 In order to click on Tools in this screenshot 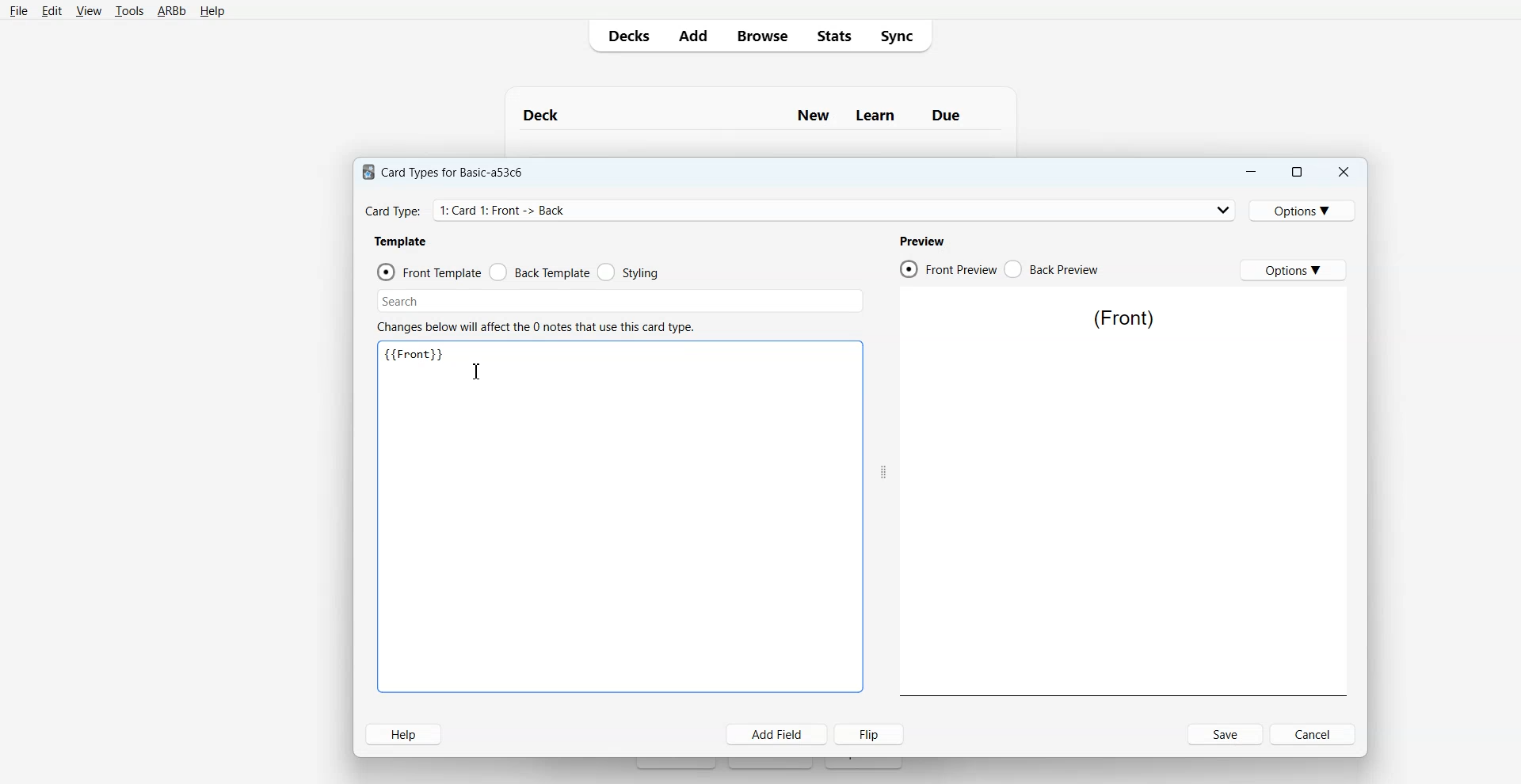, I will do `click(129, 12)`.